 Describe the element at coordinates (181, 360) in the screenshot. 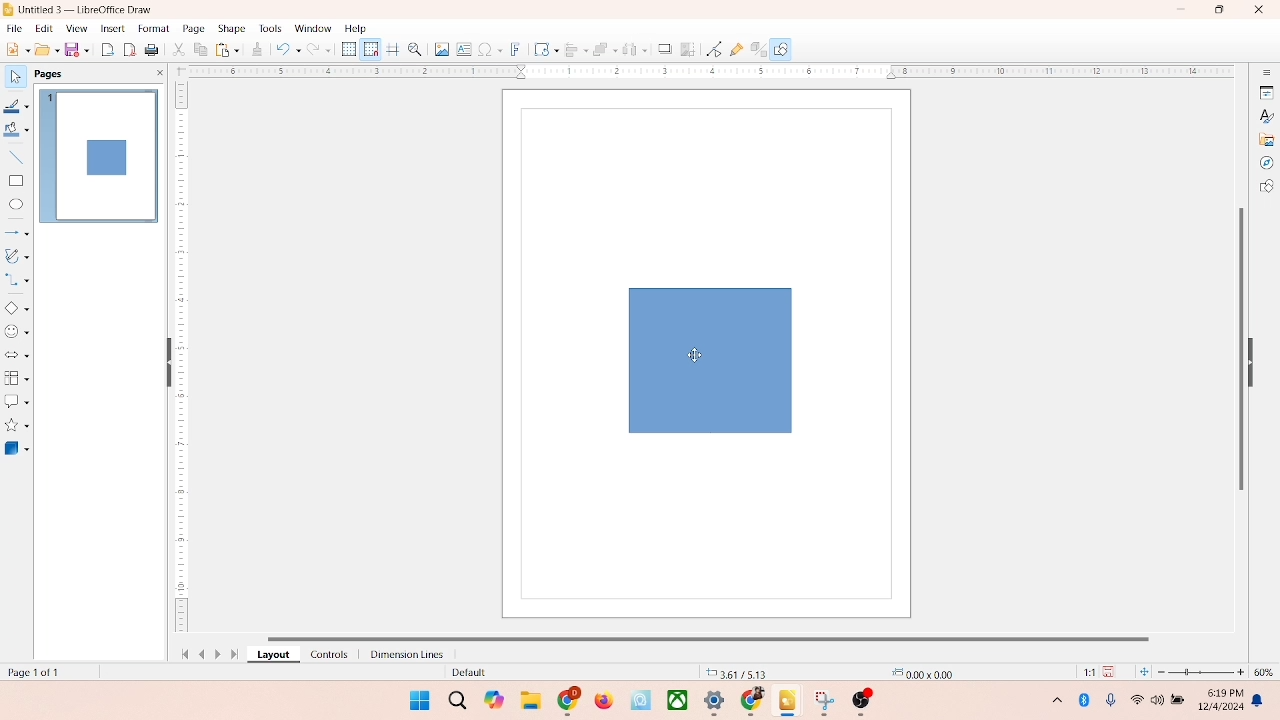

I see `scale bar` at that location.